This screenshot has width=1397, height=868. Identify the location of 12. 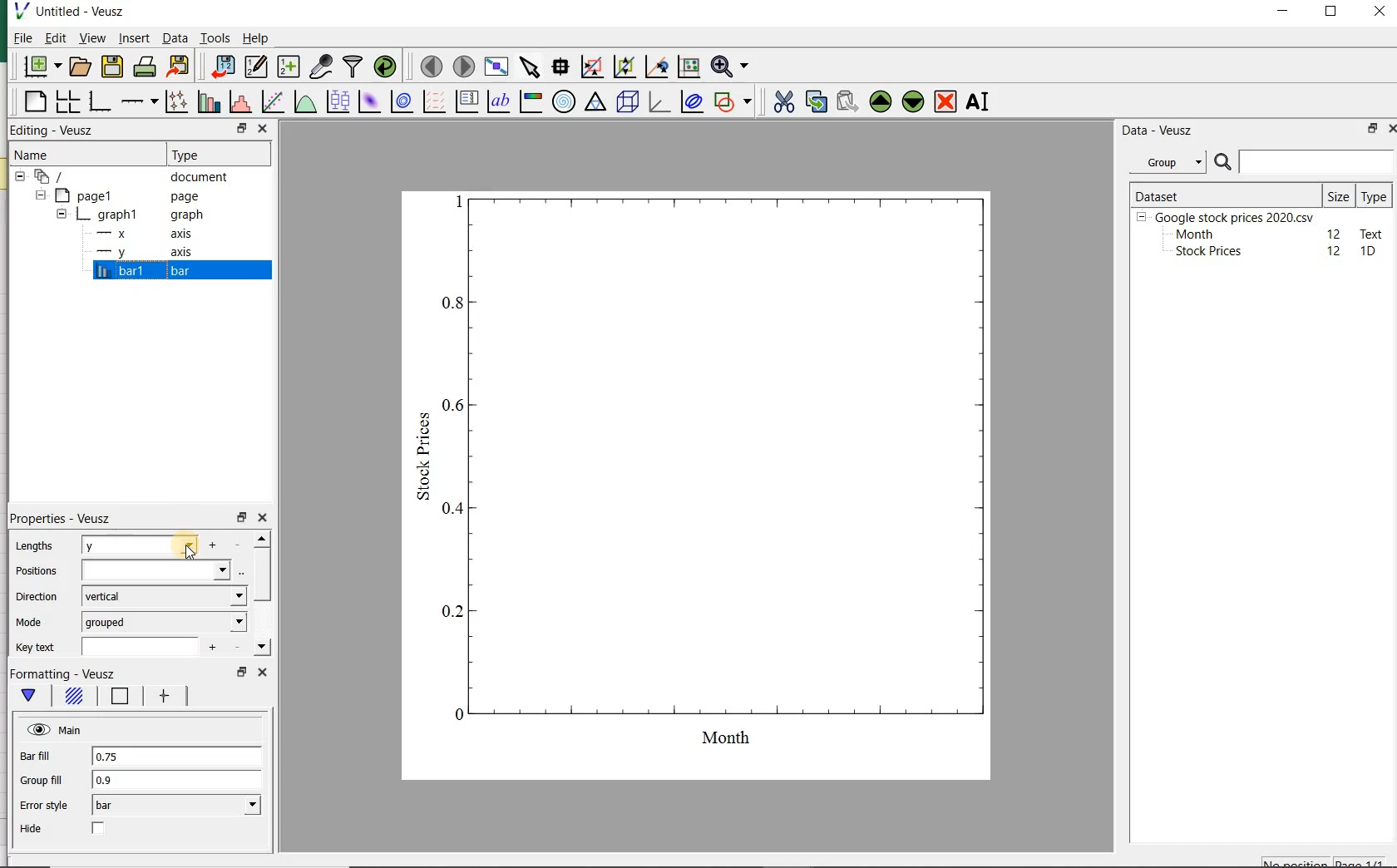
(1335, 251).